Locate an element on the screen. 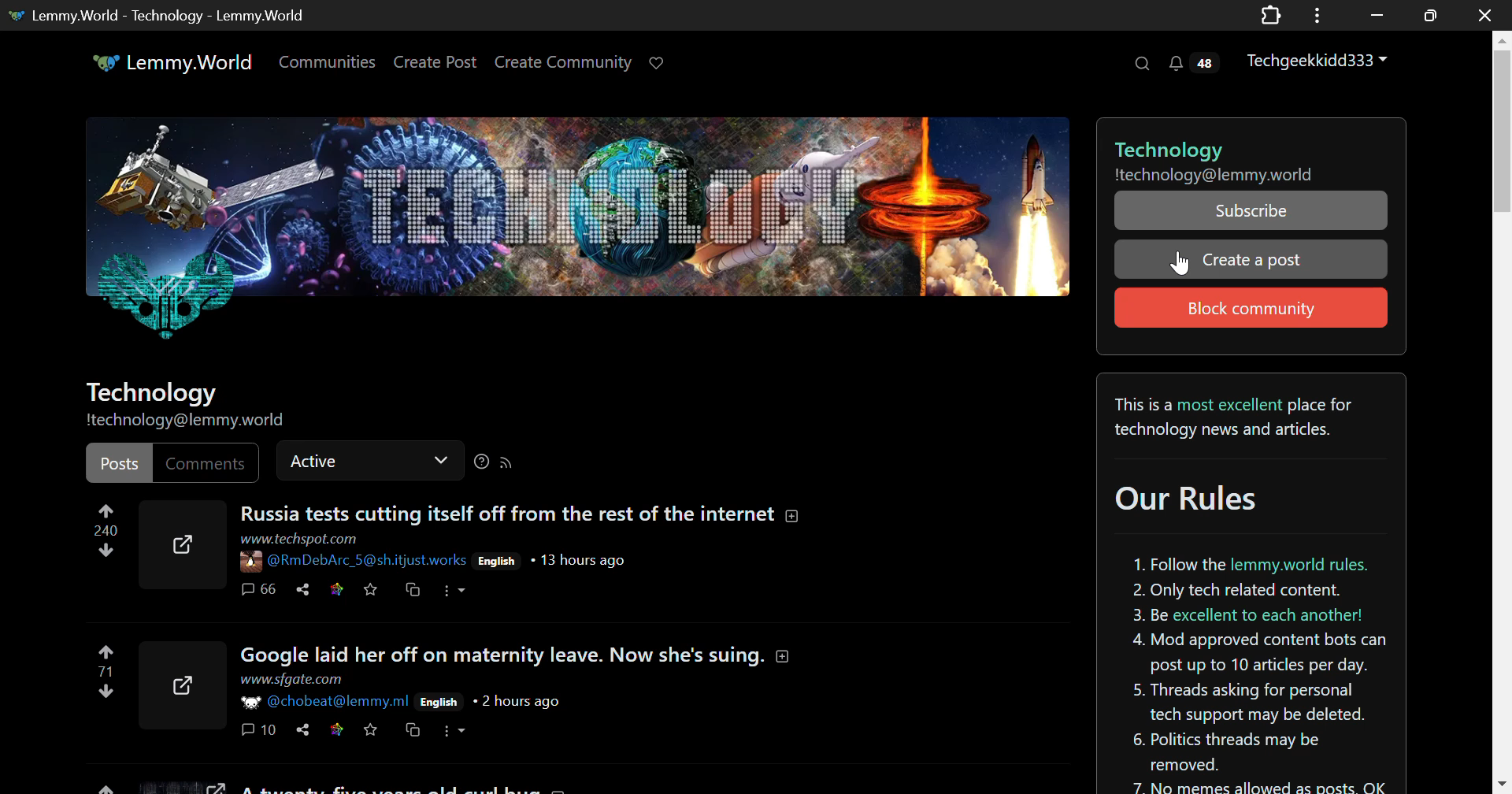 Image resolution: width=1512 pixels, height=794 pixels. @RmDebArc_5@sh.itjust.works is located at coordinates (355, 562).